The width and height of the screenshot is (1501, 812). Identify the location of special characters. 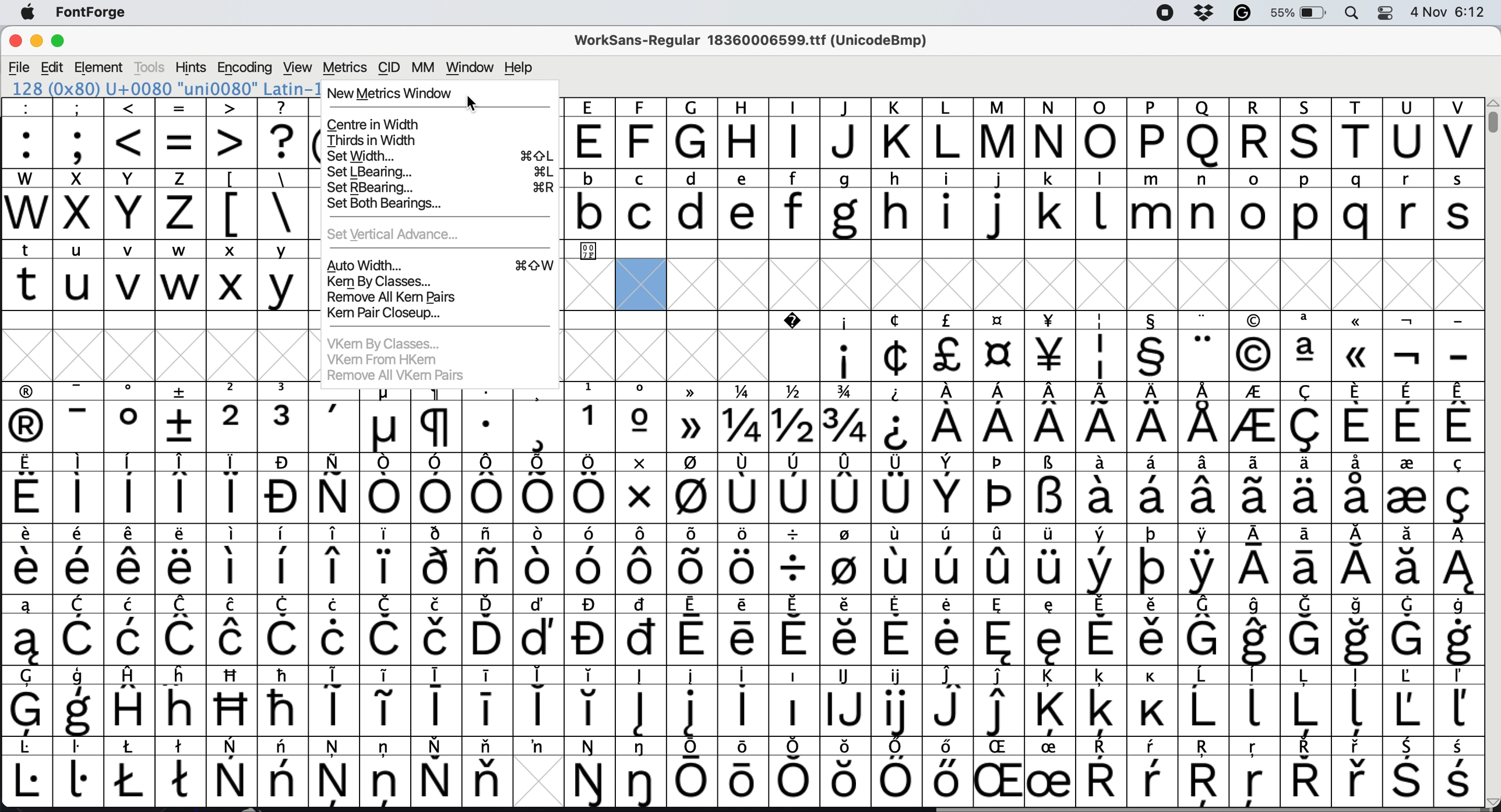
(741, 427).